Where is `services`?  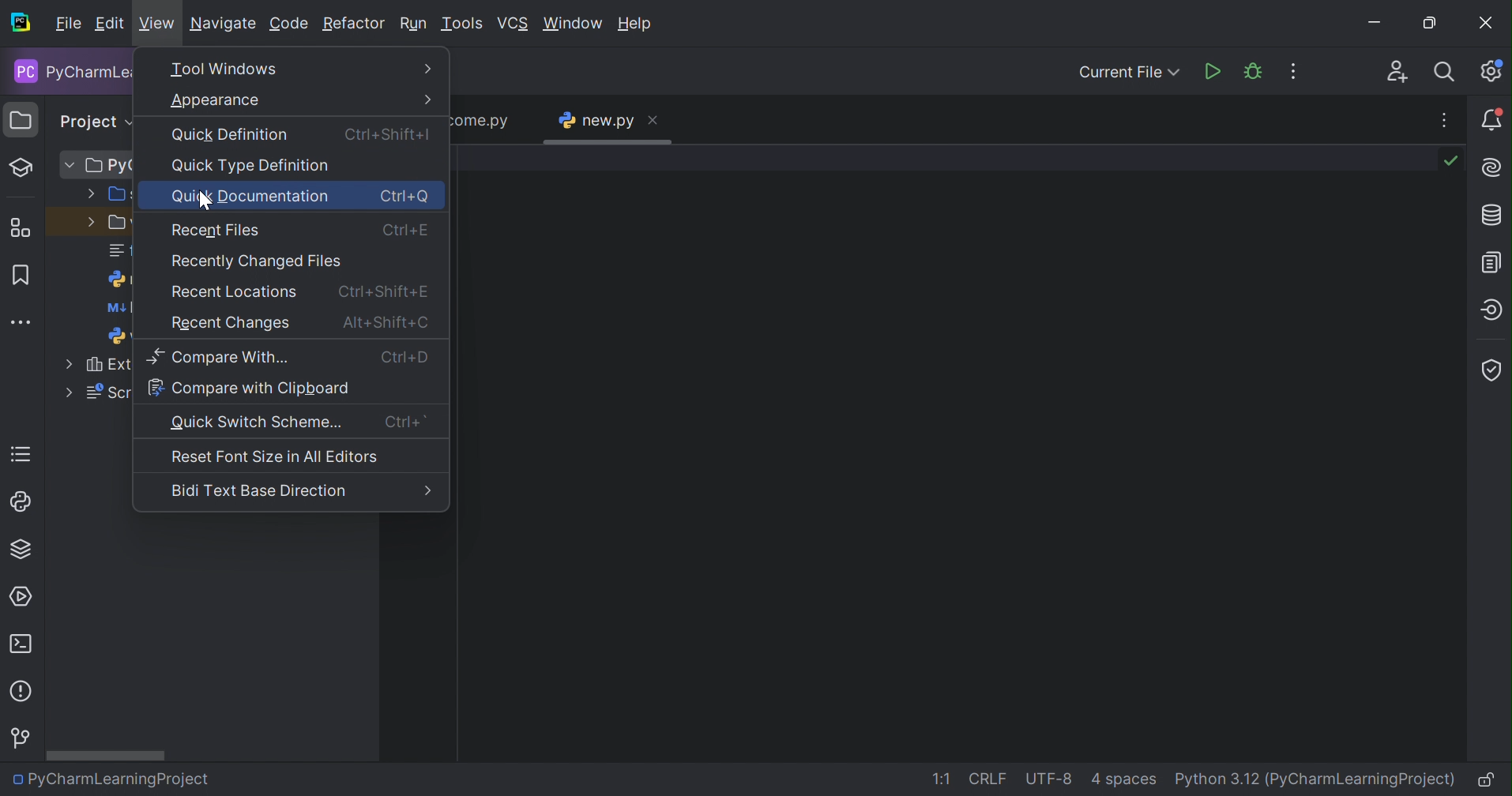 services is located at coordinates (24, 595).